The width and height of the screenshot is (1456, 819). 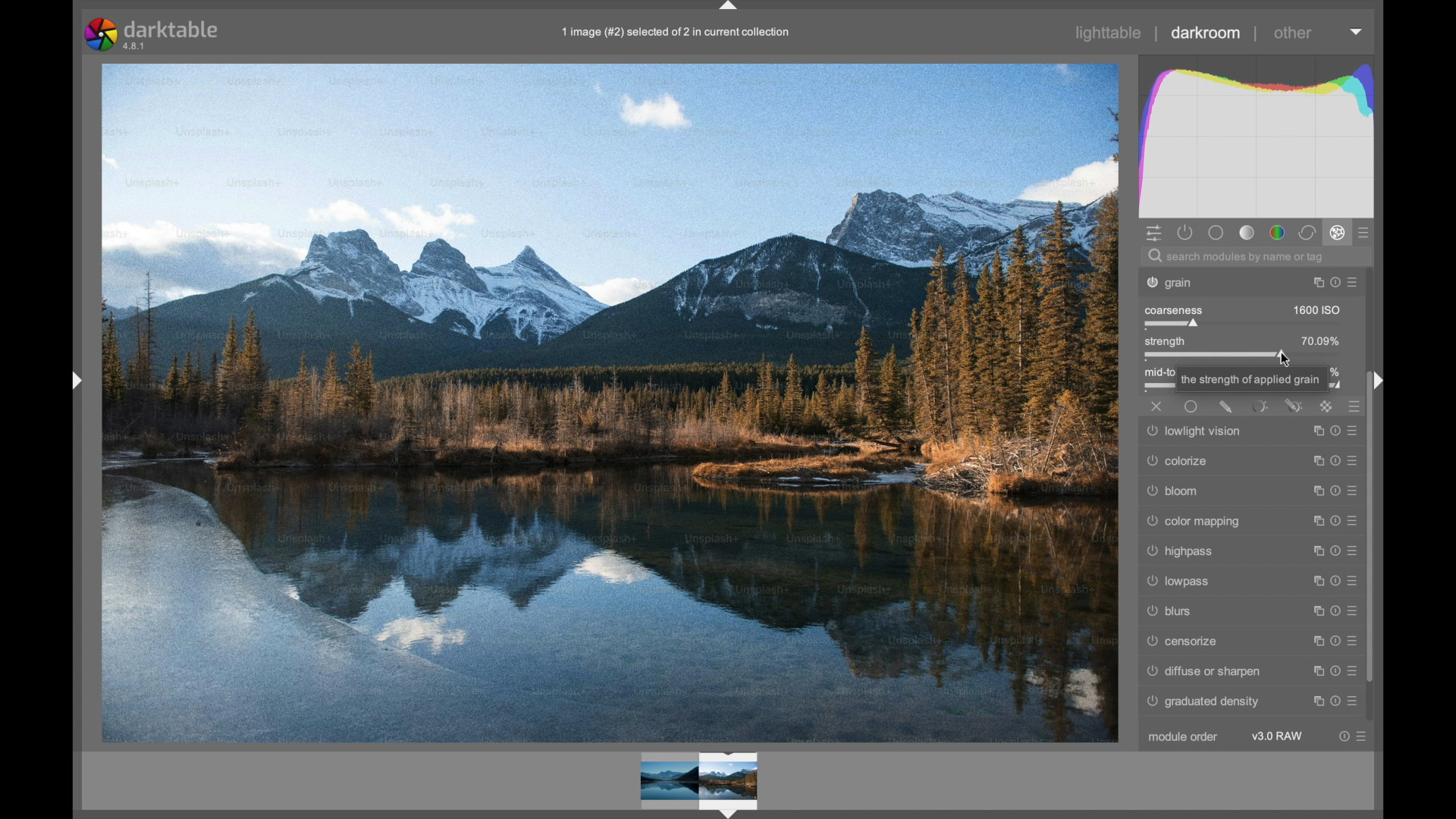 What do you see at coordinates (1200, 673) in the screenshot?
I see `diffuse or sharpen` at bounding box center [1200, 673].